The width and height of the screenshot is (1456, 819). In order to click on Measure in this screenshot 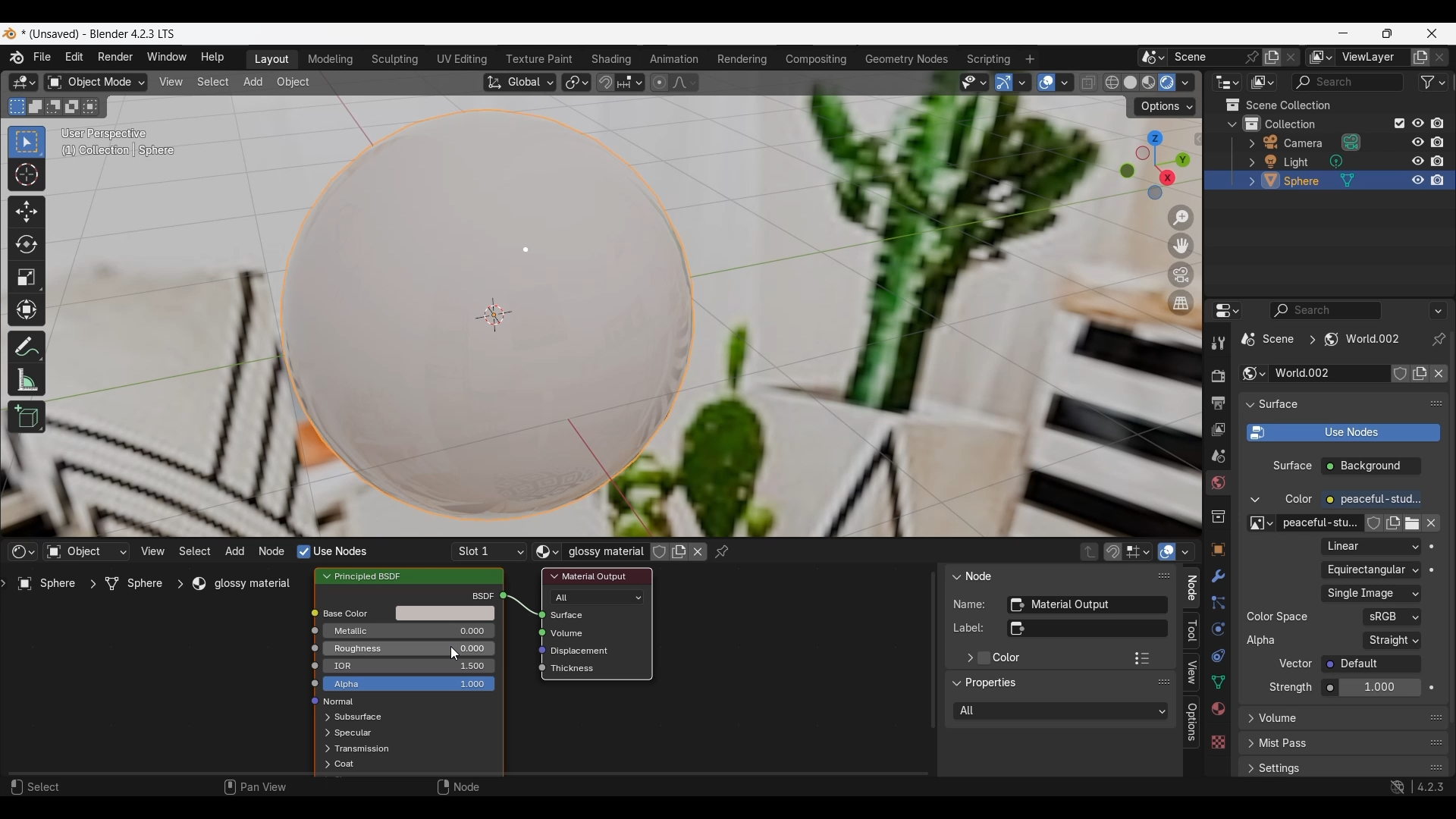, I will do `click(25, 380)`.